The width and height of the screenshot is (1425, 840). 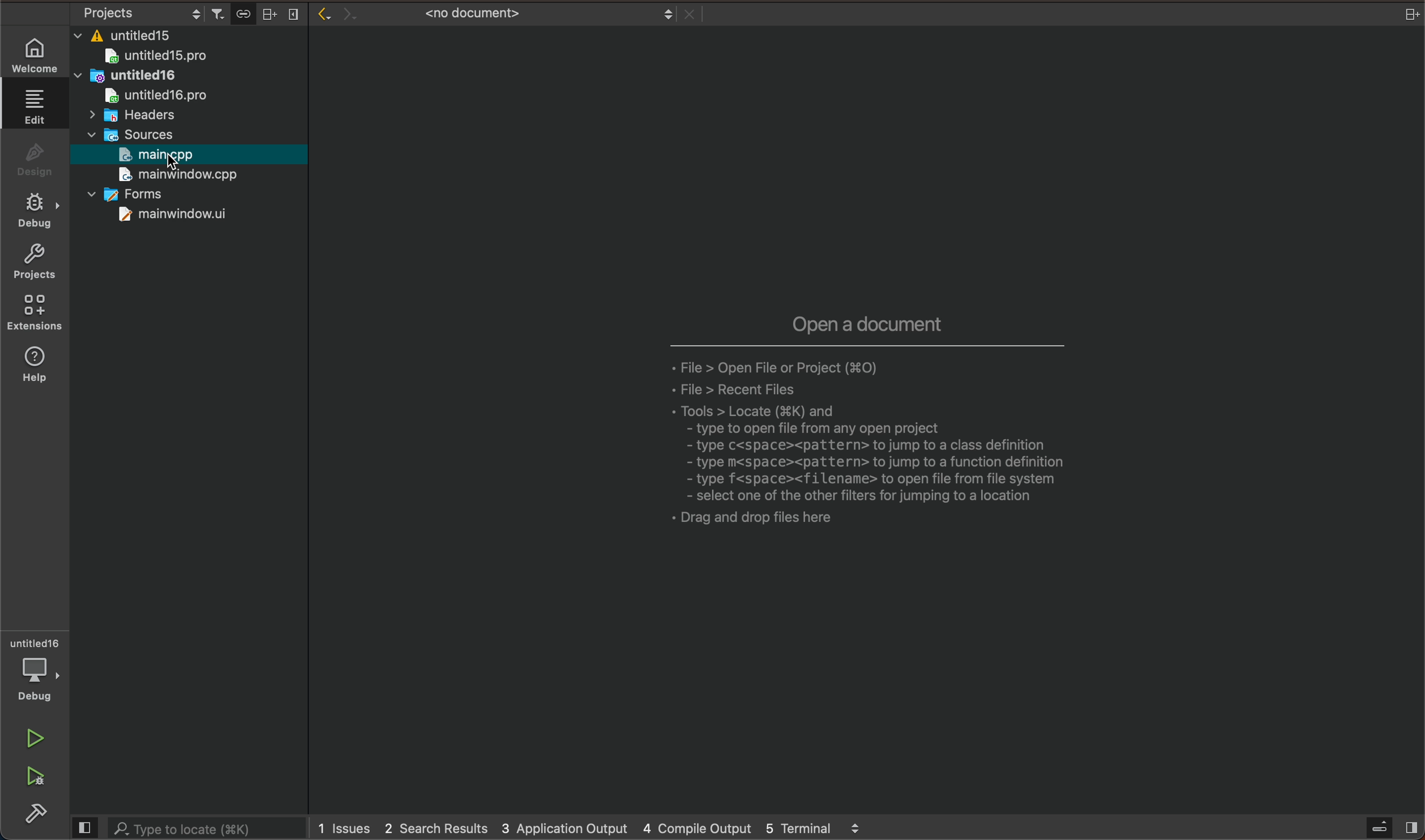 I want to click on design, so click(x=32, y=160).